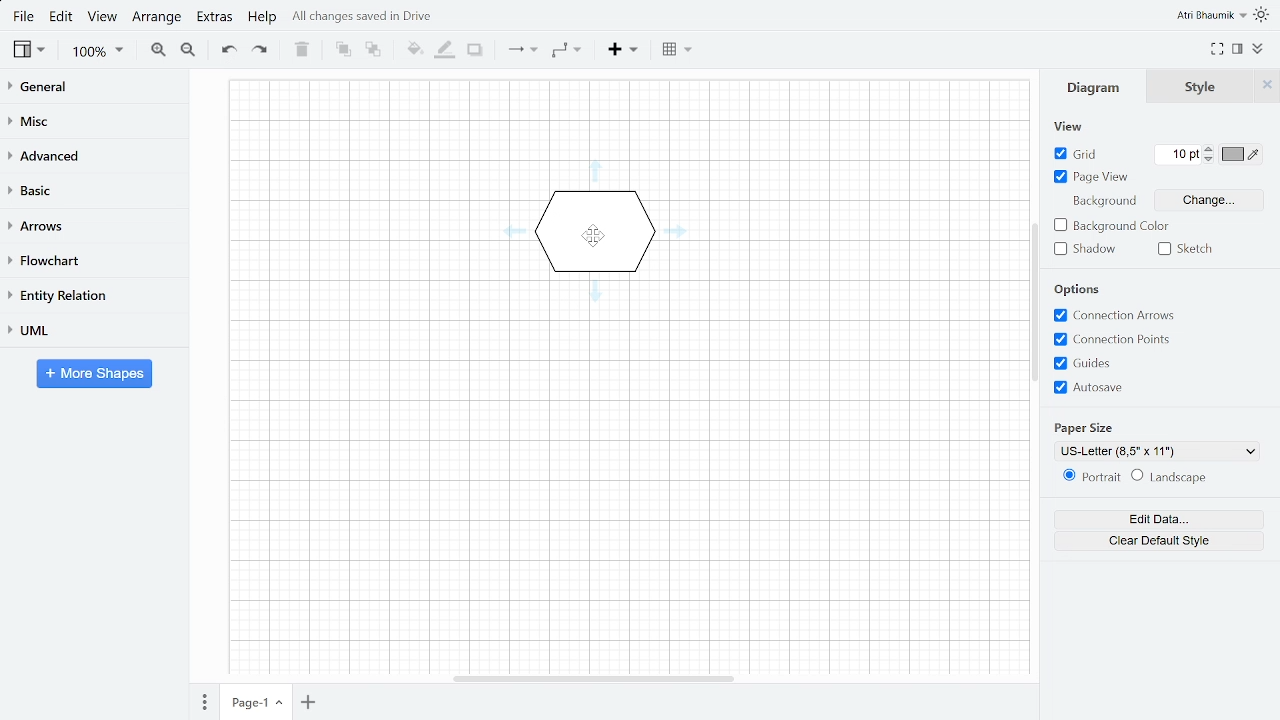 Image resolution: width=1280 pixels, height=720 pixels. I want to click on Close , so click(1267, 86).